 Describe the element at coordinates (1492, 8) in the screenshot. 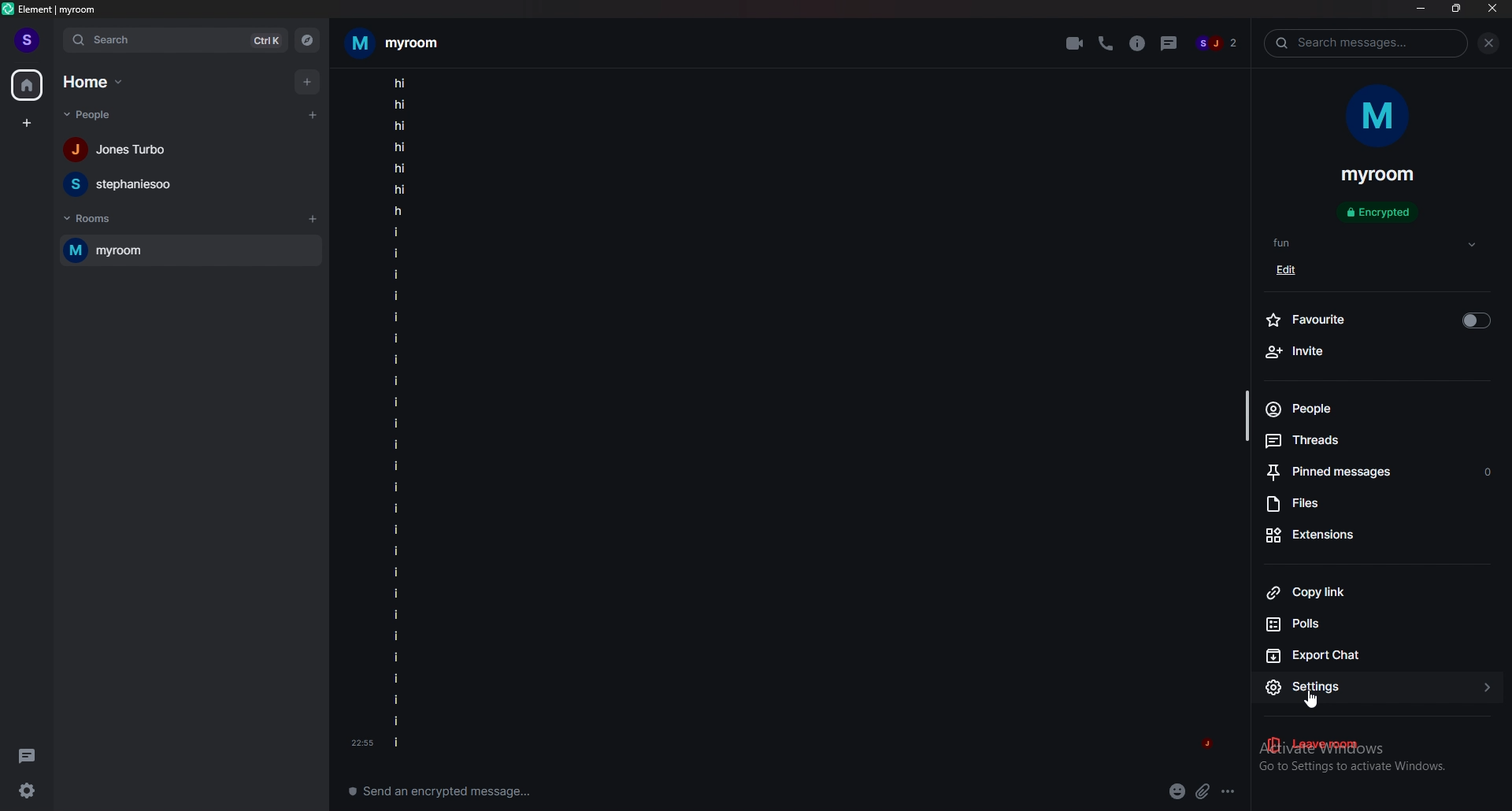

I see `close` at that location.